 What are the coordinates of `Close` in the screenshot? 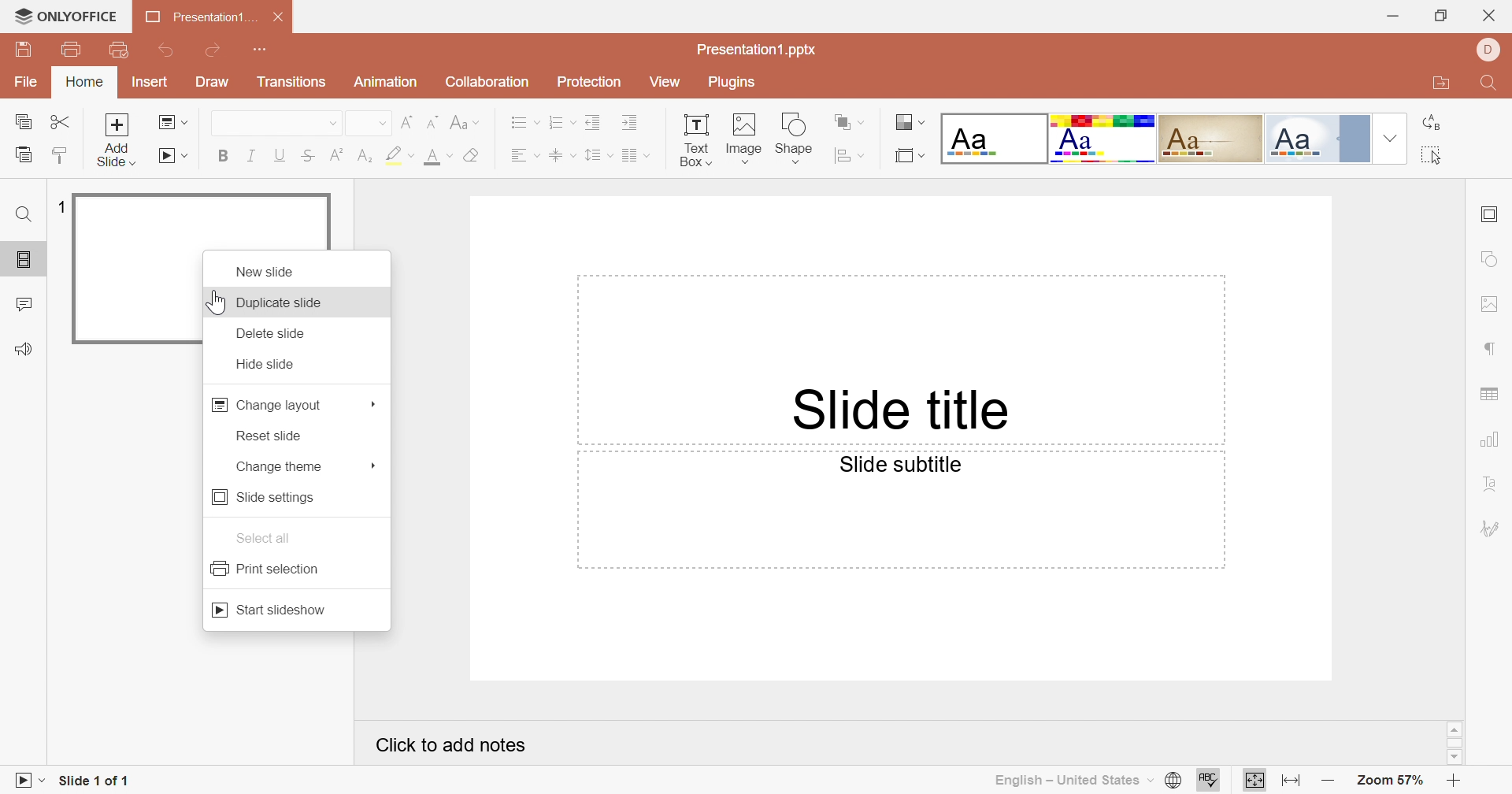 It's located at (1489, 15).